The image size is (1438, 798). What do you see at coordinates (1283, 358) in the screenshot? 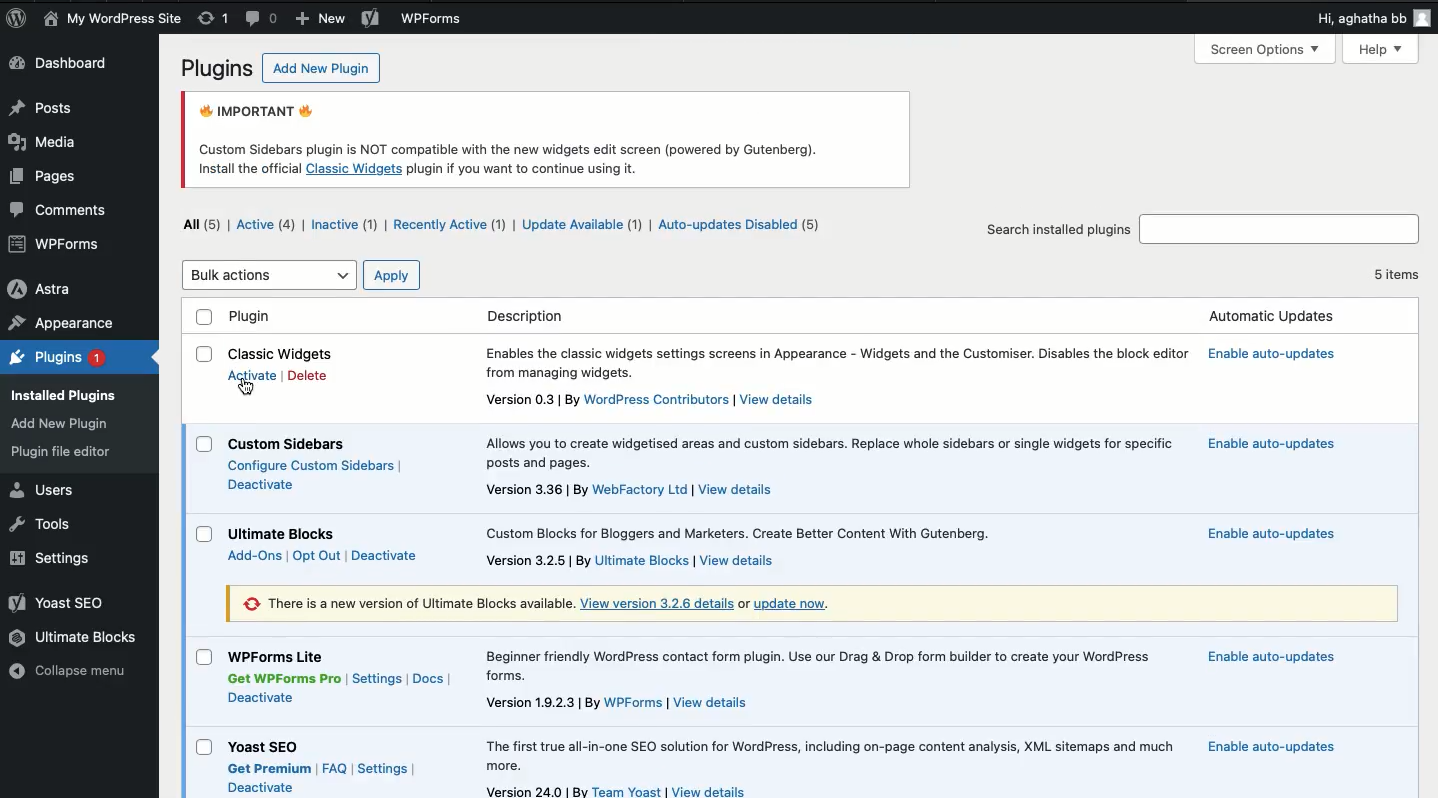
I see `Automatic updates` at bounding box center [1283, 358].